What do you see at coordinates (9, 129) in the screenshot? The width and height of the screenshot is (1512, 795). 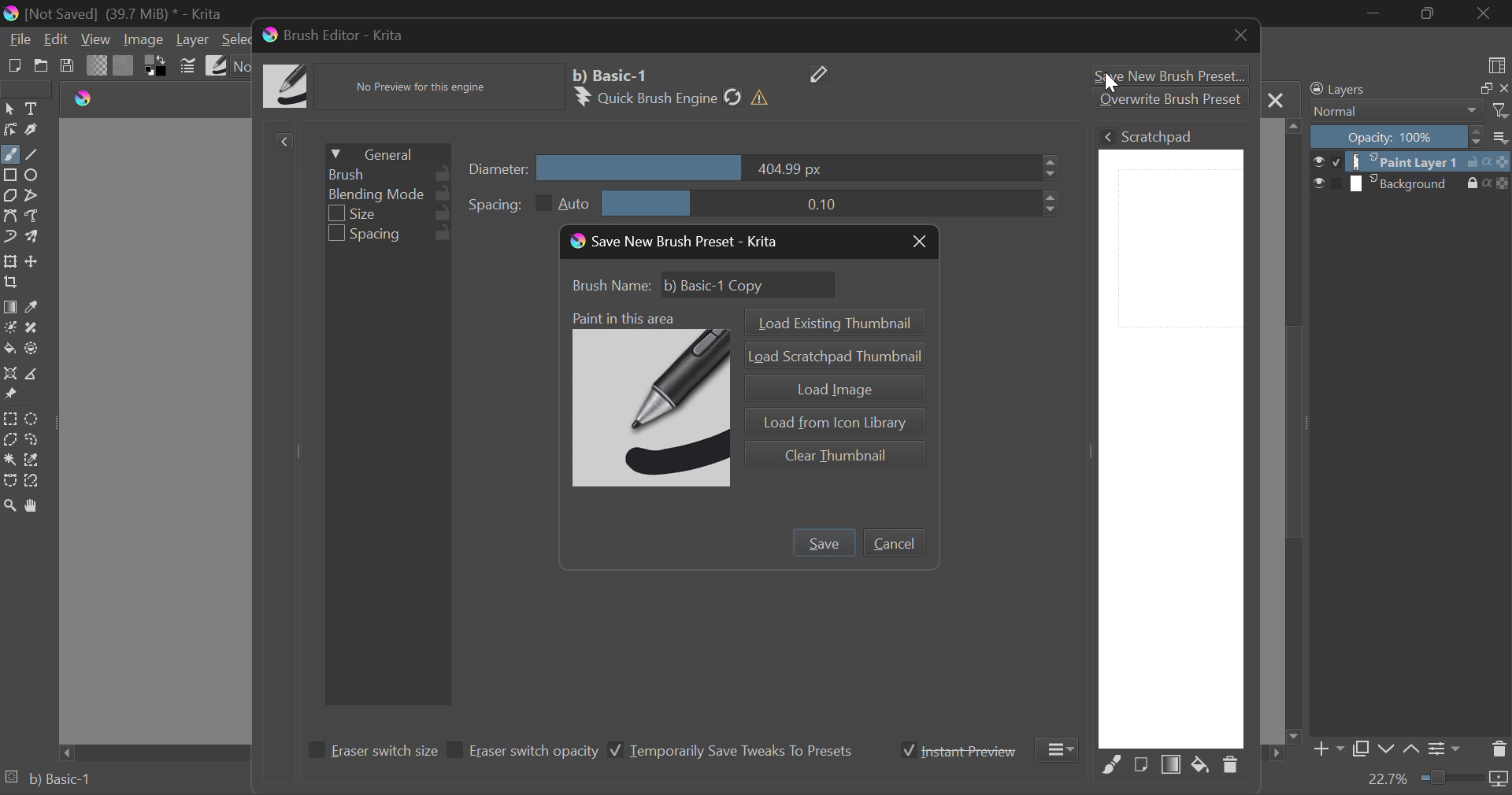 I see `Edit Shapes` at bounding box center [9, 129].